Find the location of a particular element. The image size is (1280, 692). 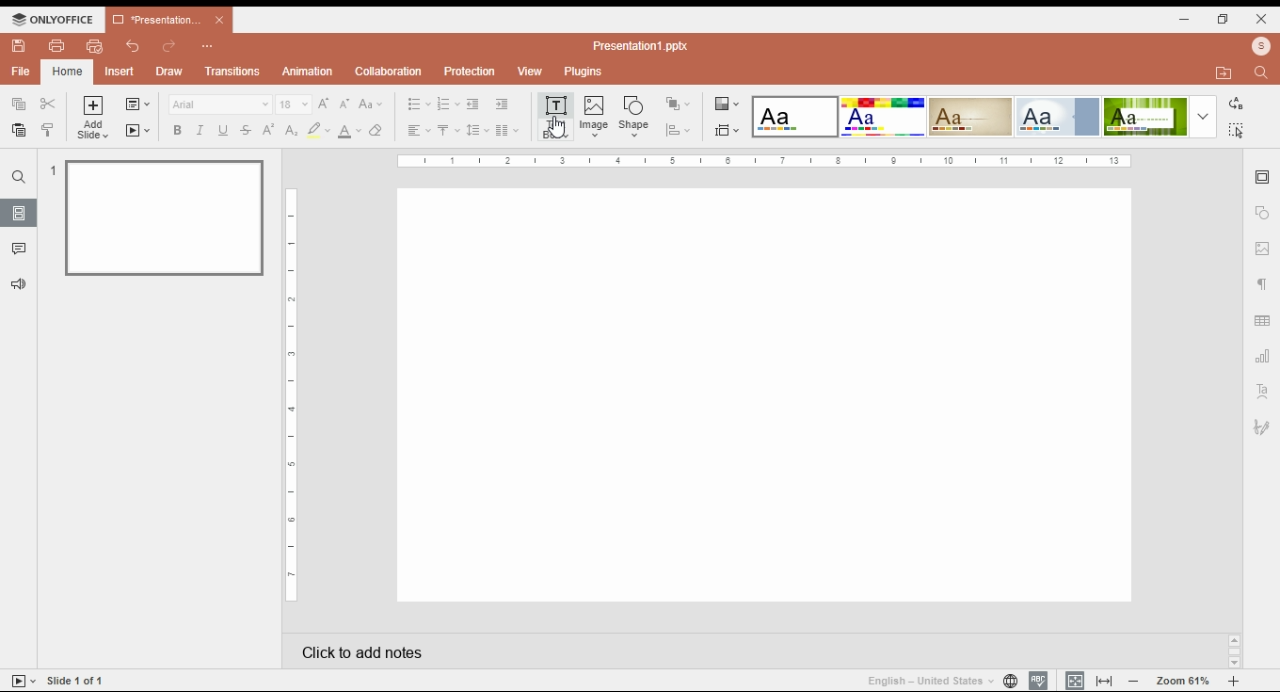

minimize is located at coordinates (1188, 20).